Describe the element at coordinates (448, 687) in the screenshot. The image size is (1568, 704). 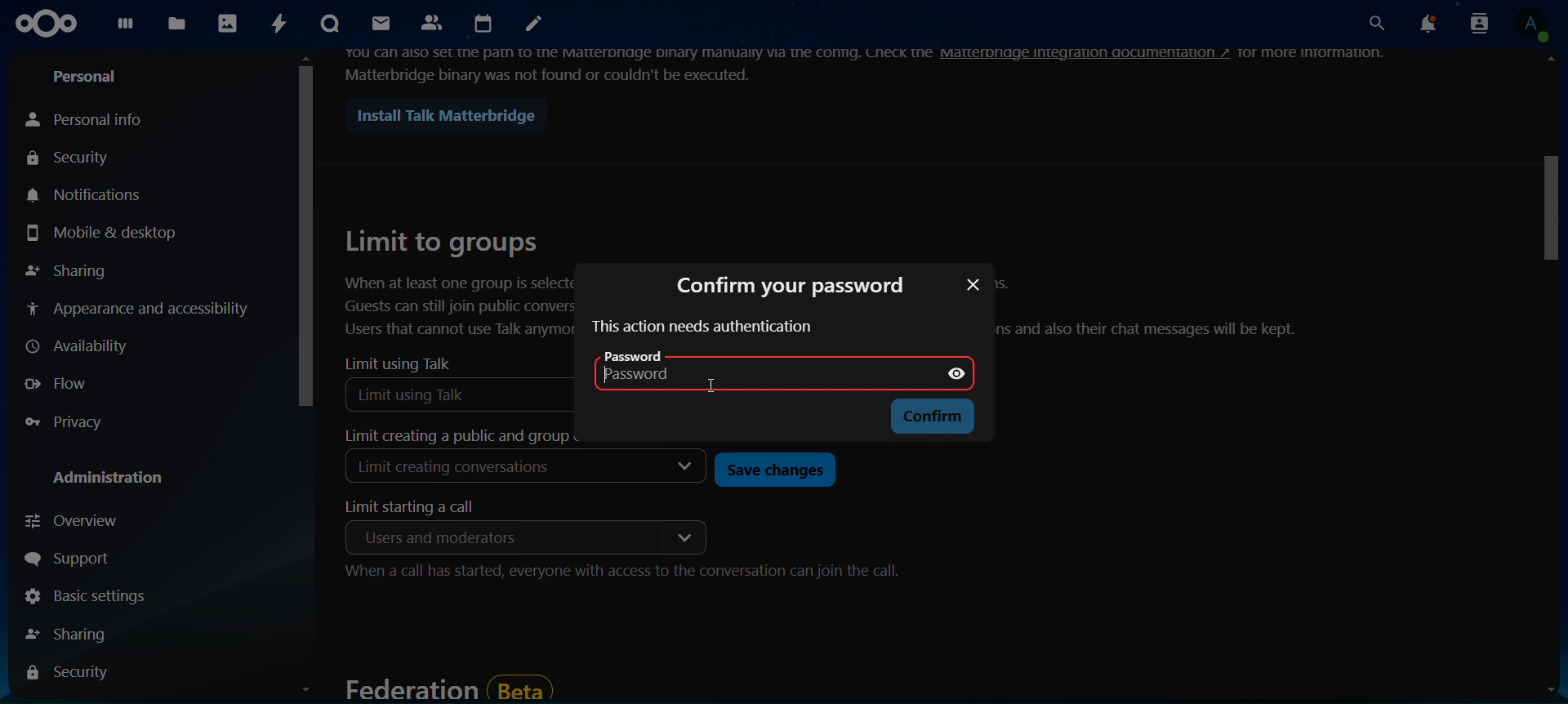
I see `federation` at that location.